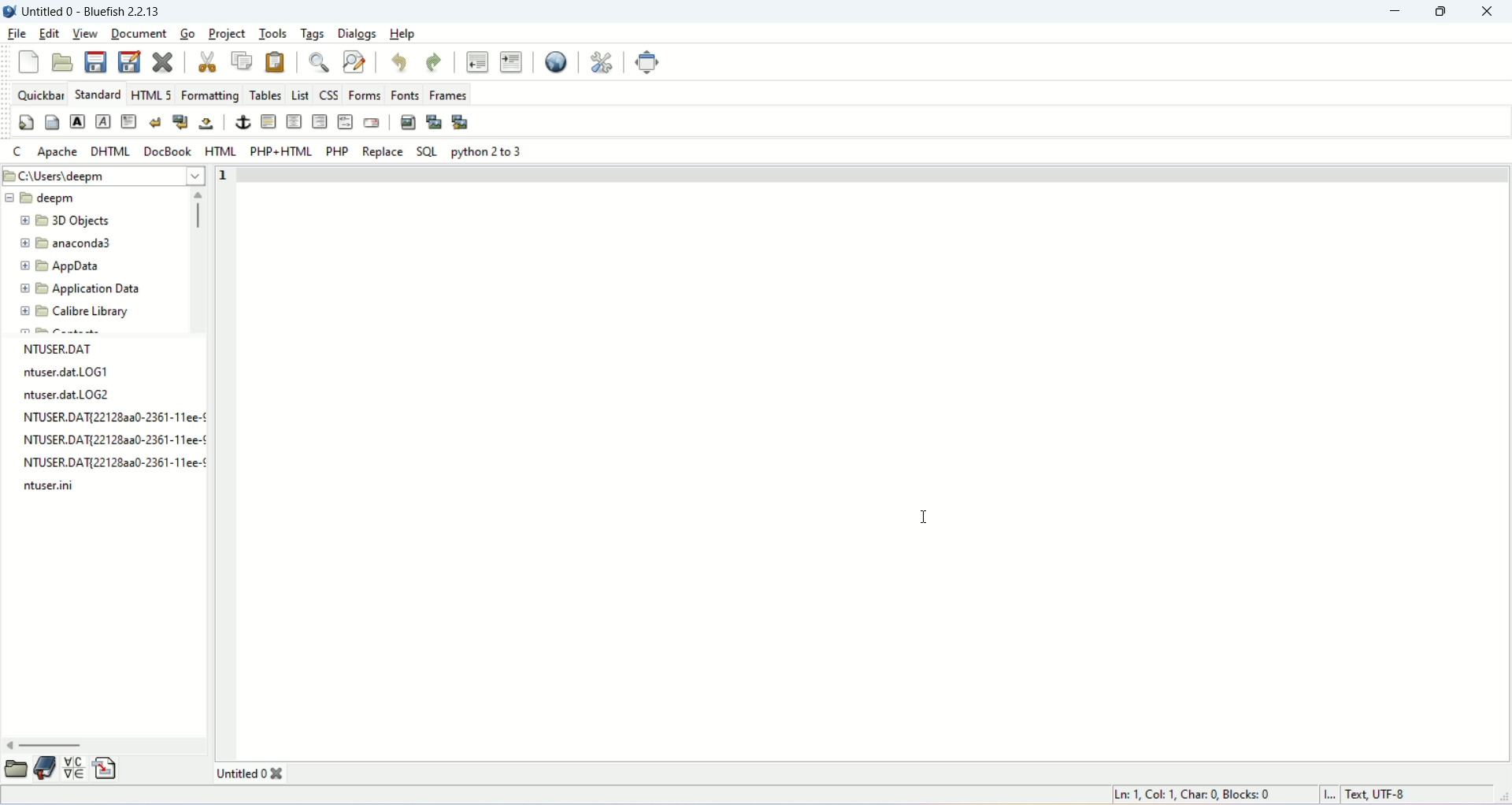  I want to click on insert thumbnail, so click(432, 121).